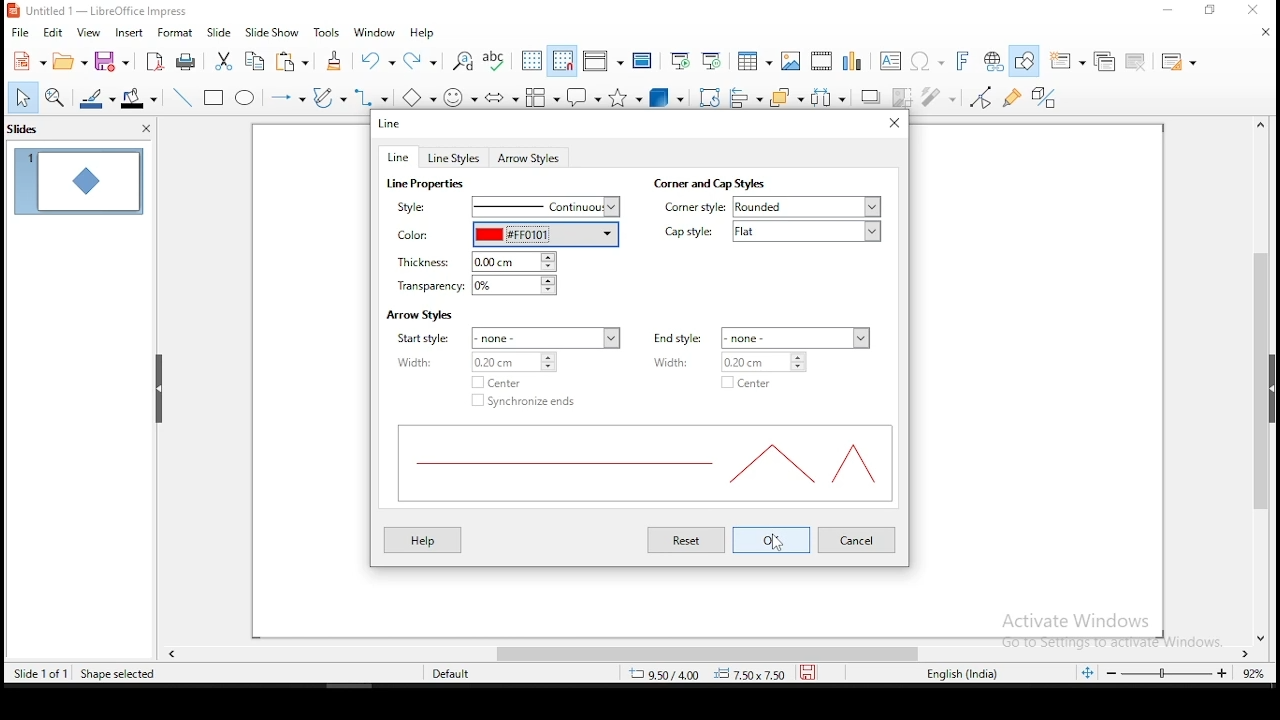  Describe the element at coordinates (127, 32) in the screenshot. I see `insert` at that location.